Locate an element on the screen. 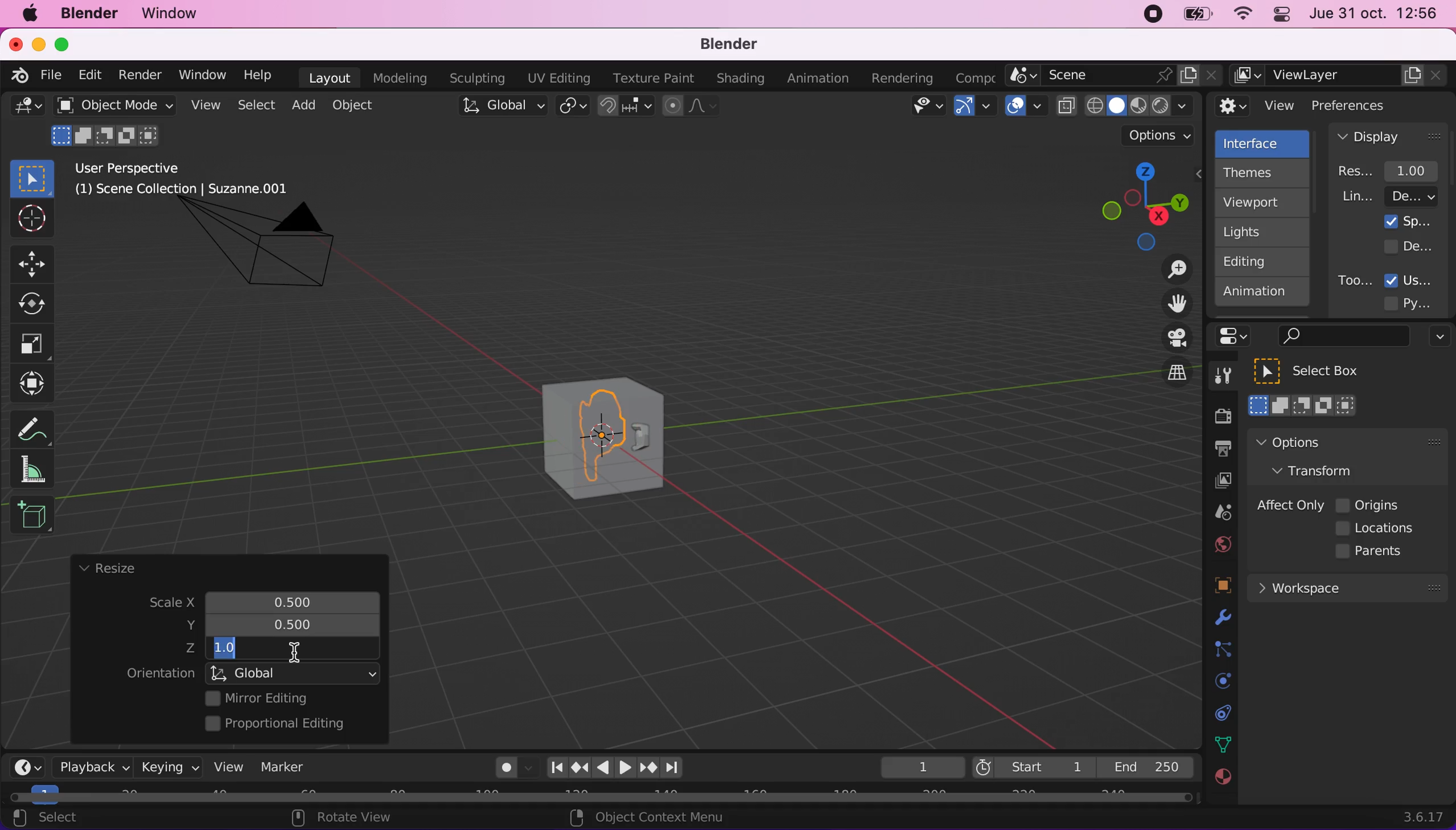  animation is located at coordinates (1263, 295).